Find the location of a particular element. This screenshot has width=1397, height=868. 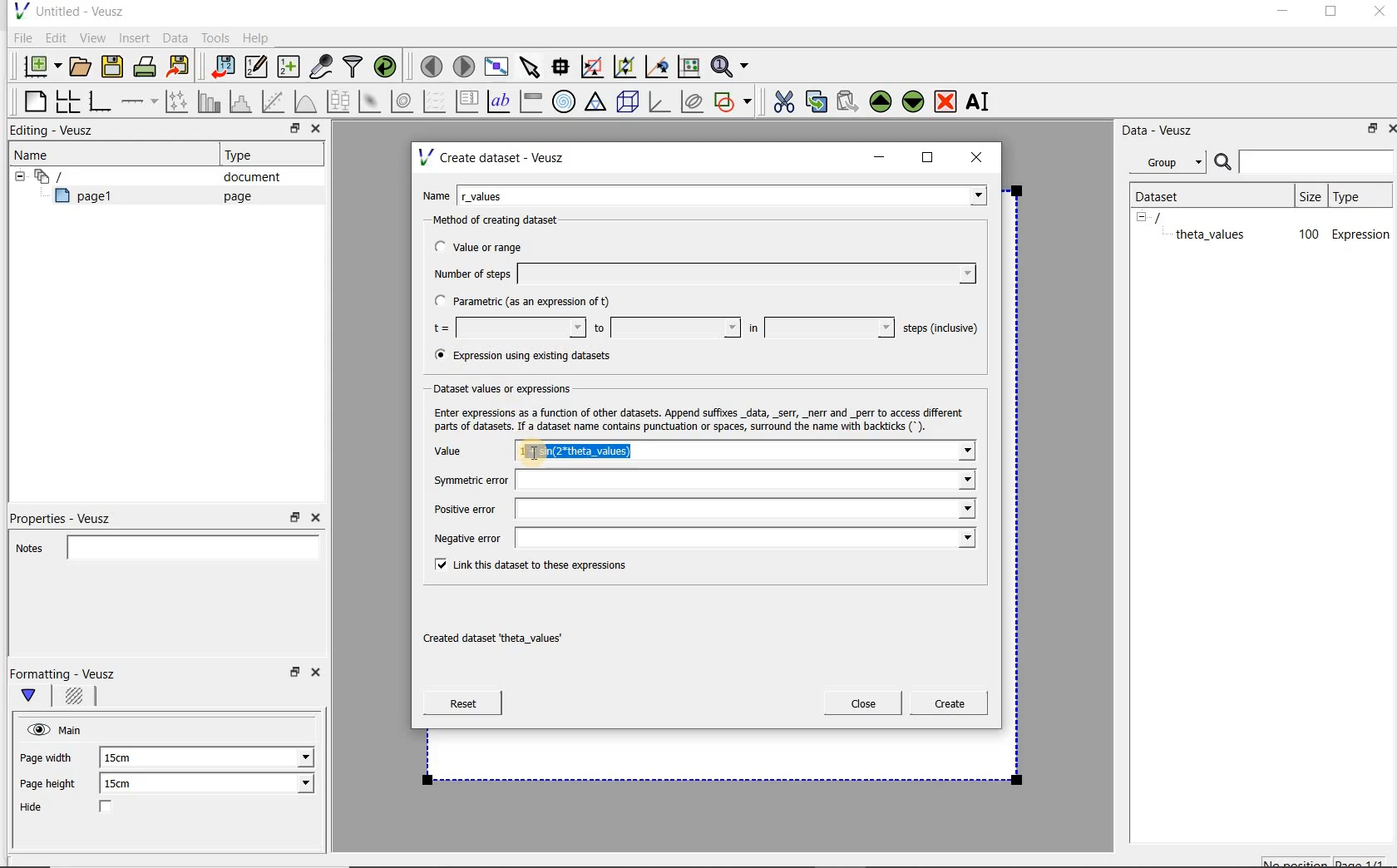

plot a 2d dataset as contours is located at coordinates (403, 101).